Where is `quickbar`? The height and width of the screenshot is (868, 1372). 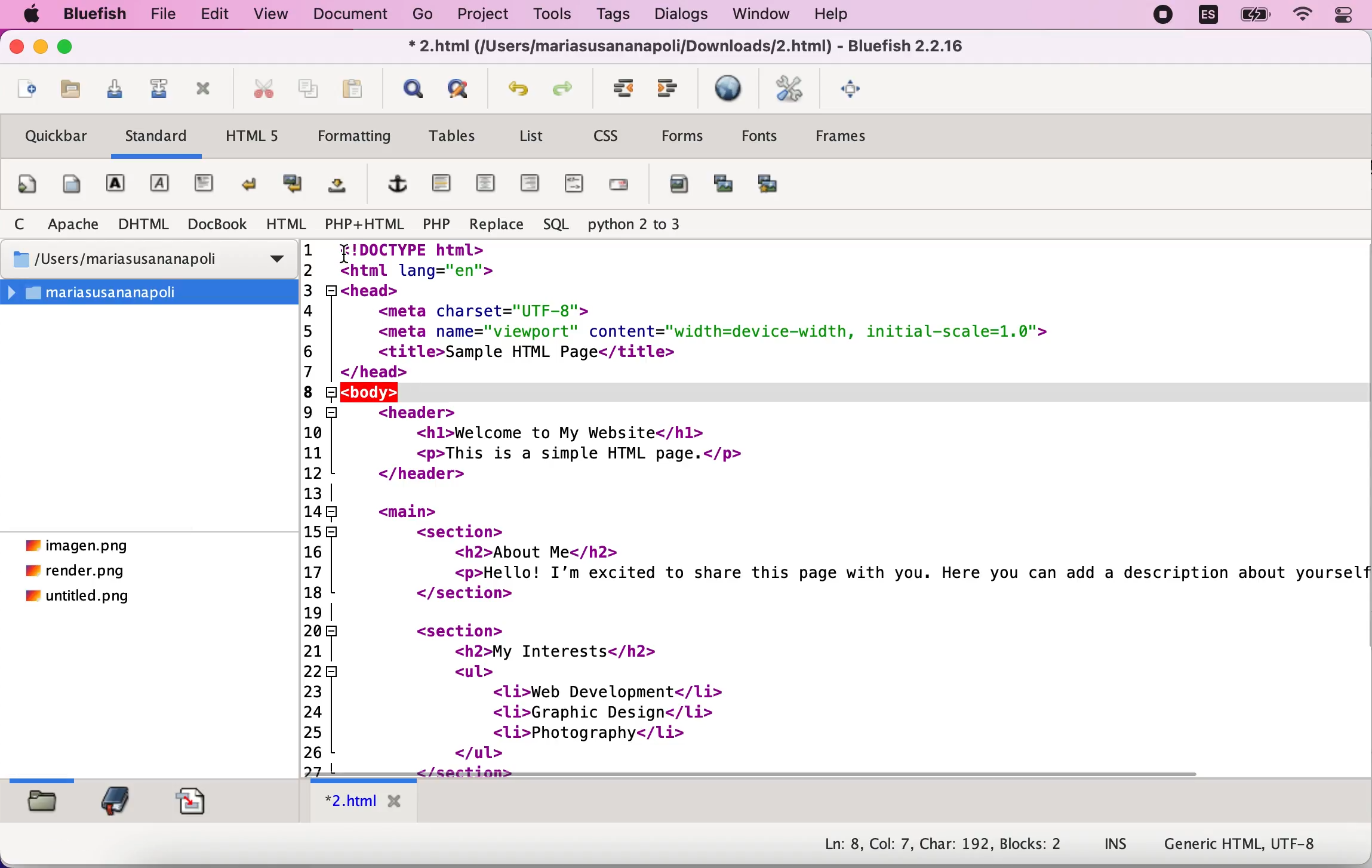
quickbar is located at coordinates (56, 136).